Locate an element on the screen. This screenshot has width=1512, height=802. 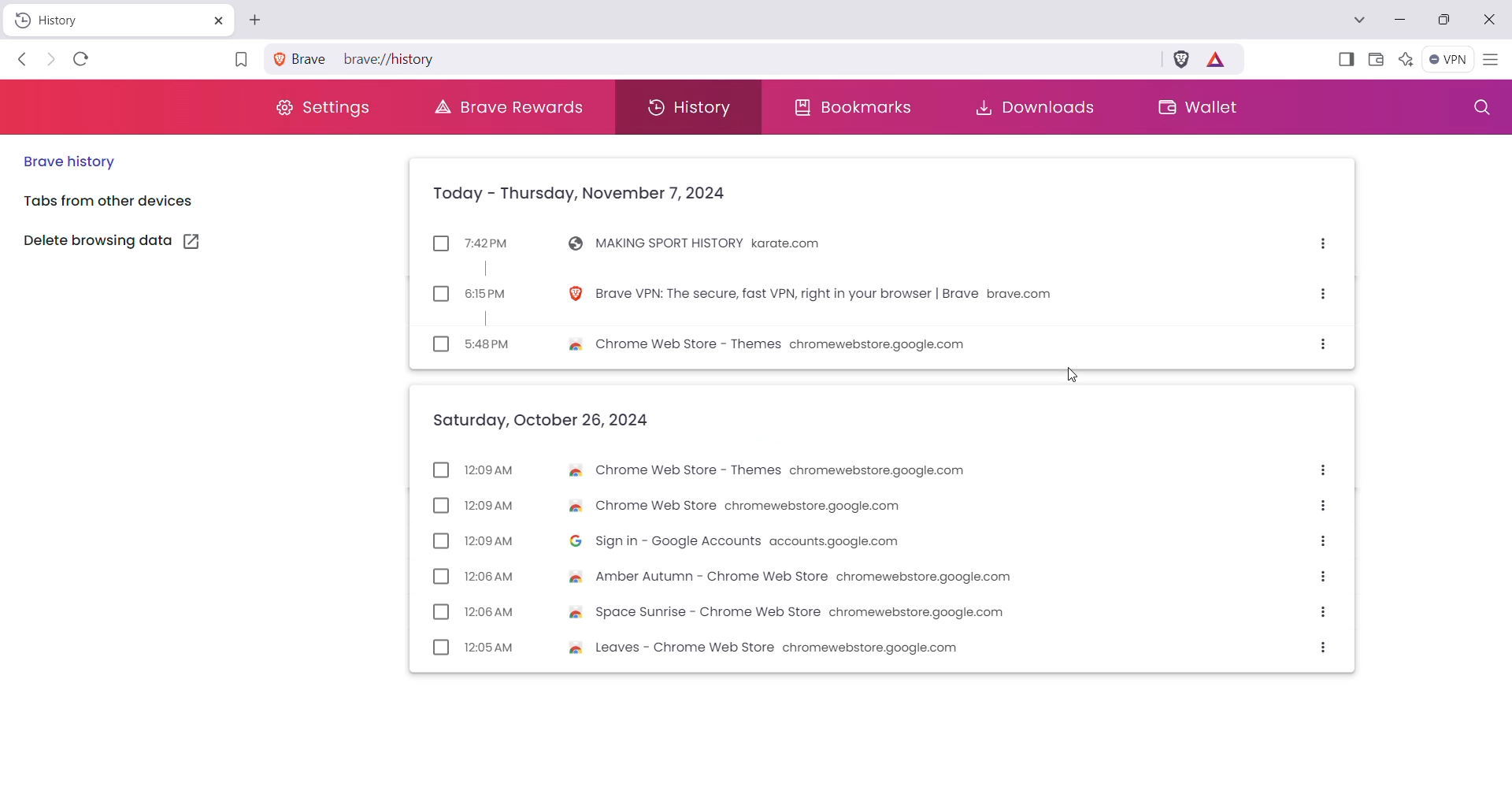
Brave Rewards is located at coordinates (506, 110).